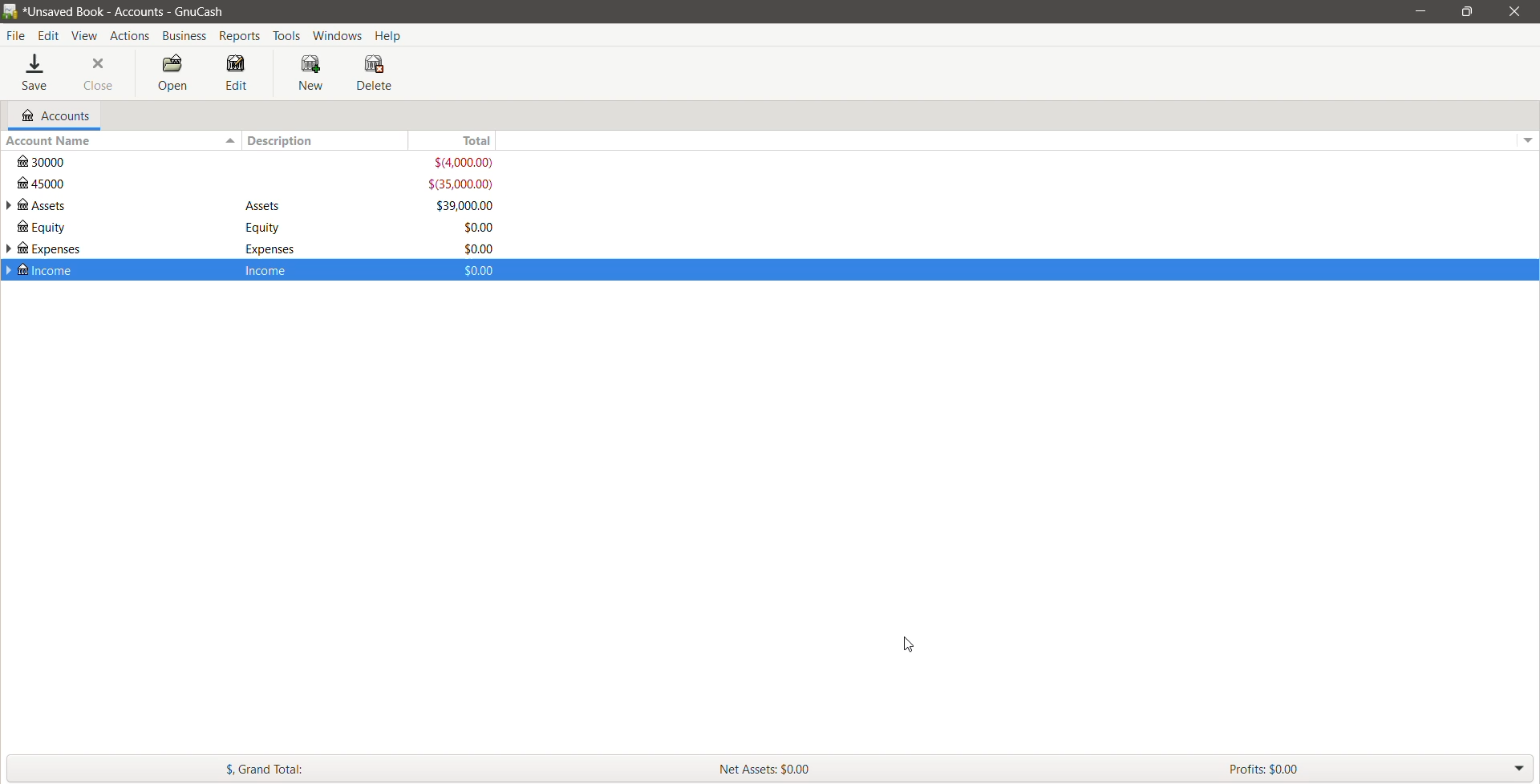 This screenshot has height=784, width=1540. Describe the element at coordinates (10, 270) in the screenshot. I see `expand subaccounts` at that location.